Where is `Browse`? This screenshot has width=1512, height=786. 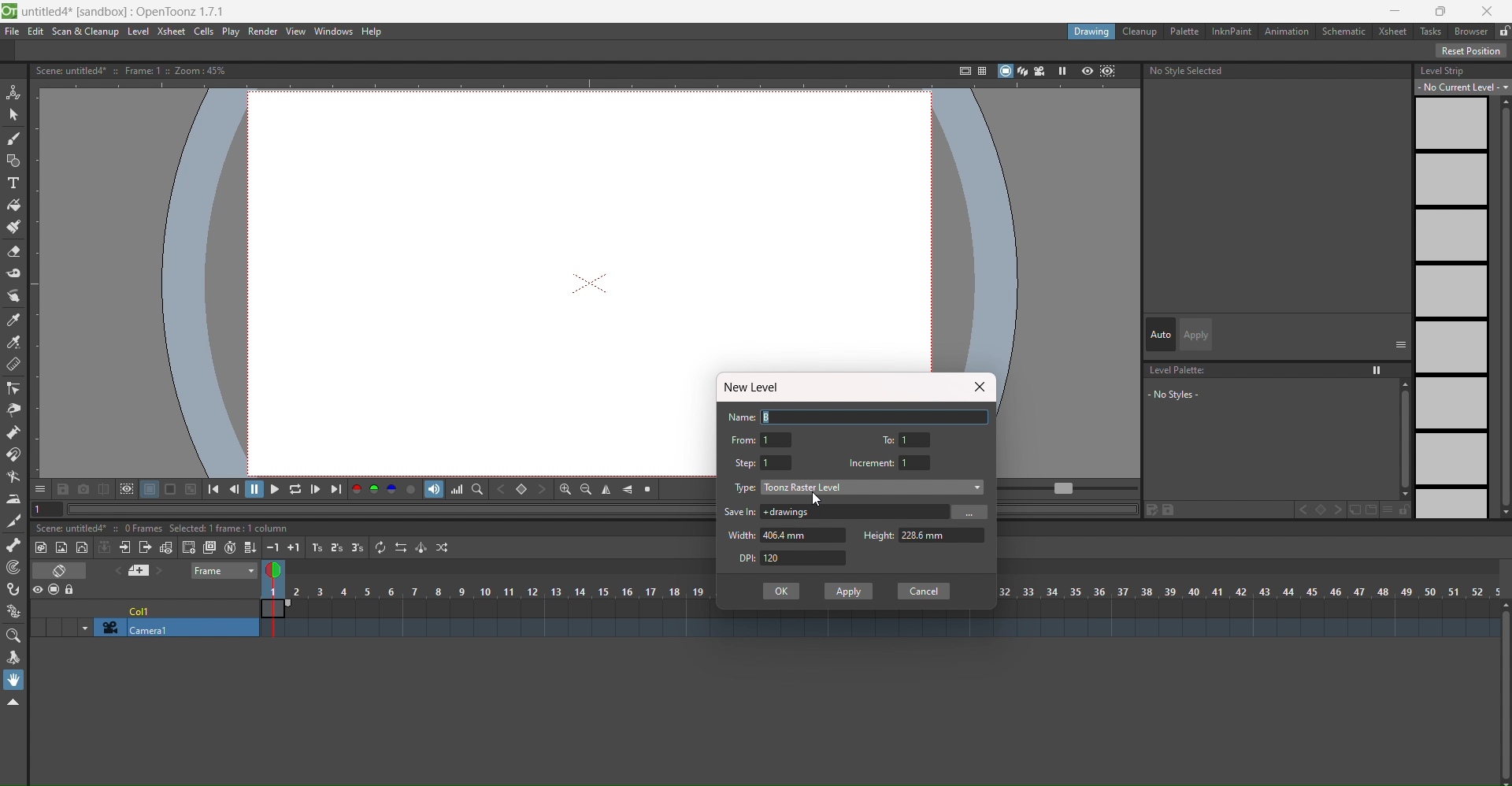
Browse is located at coordinates (969, 511).